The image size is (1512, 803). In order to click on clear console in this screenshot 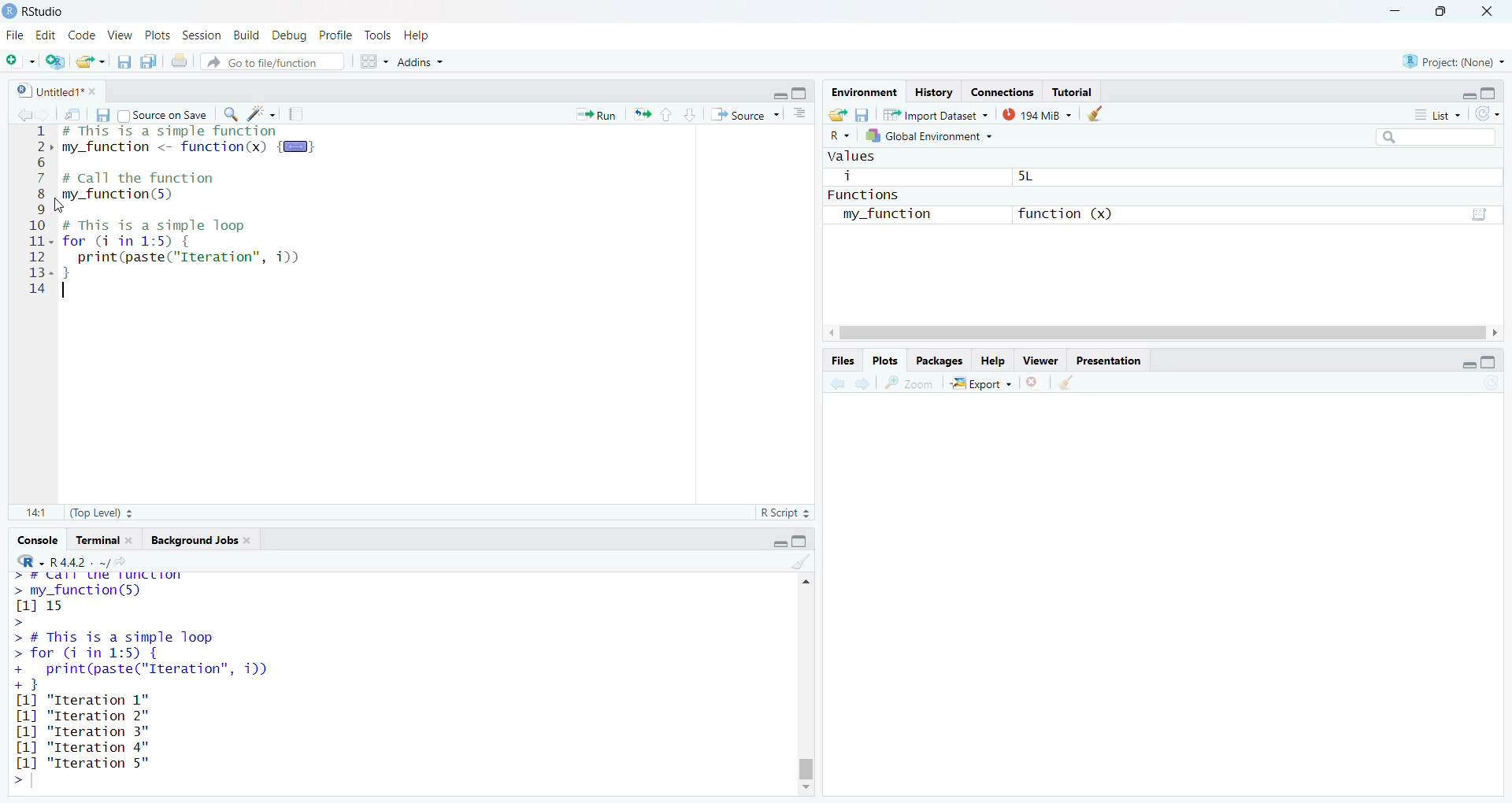, I will do `click(801, 561)`.